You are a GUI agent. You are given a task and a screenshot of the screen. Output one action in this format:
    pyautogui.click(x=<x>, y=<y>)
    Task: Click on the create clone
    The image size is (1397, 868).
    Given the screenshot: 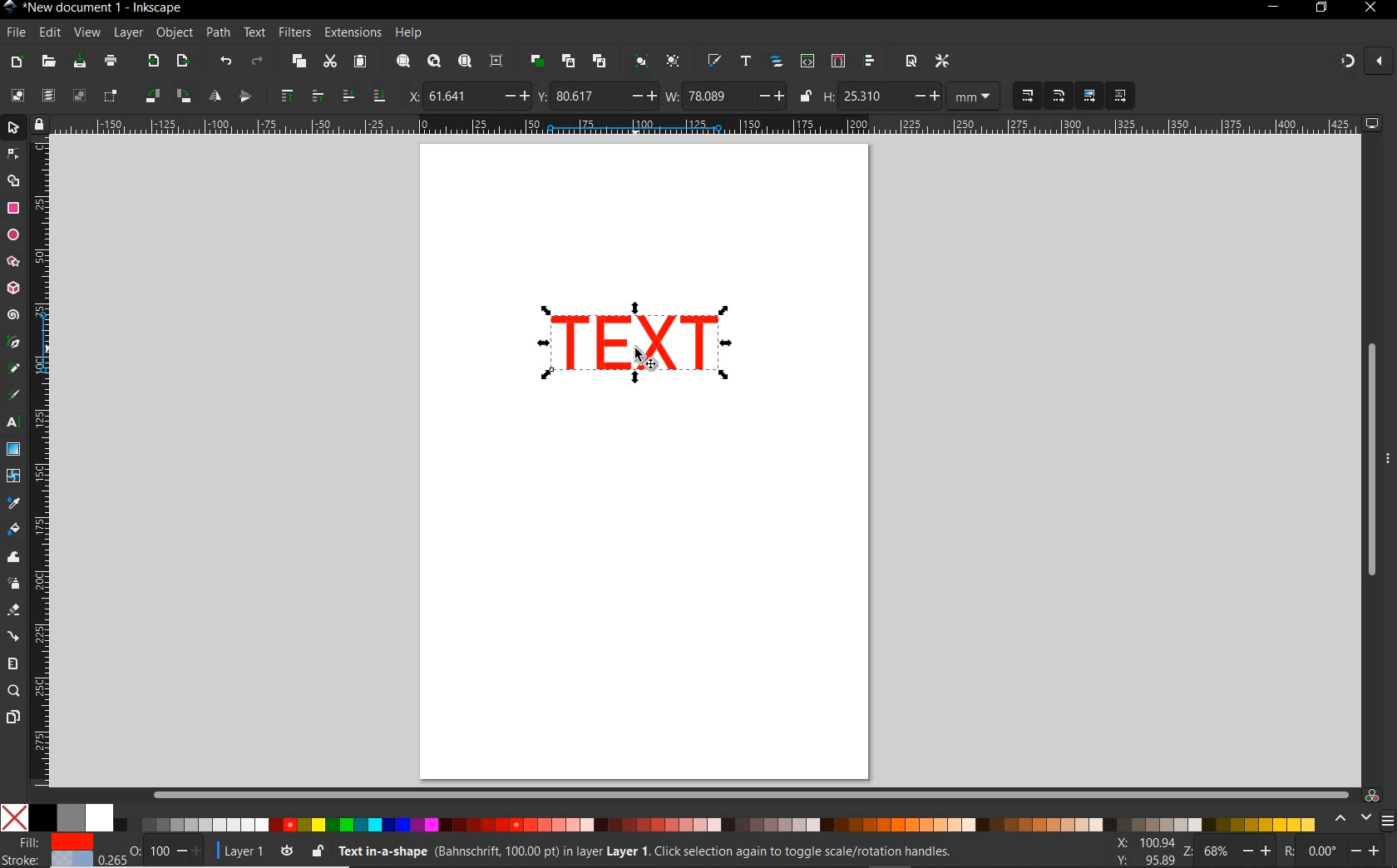 What is the action you would take?
    pyautogui.click(x=567, y=62)
    